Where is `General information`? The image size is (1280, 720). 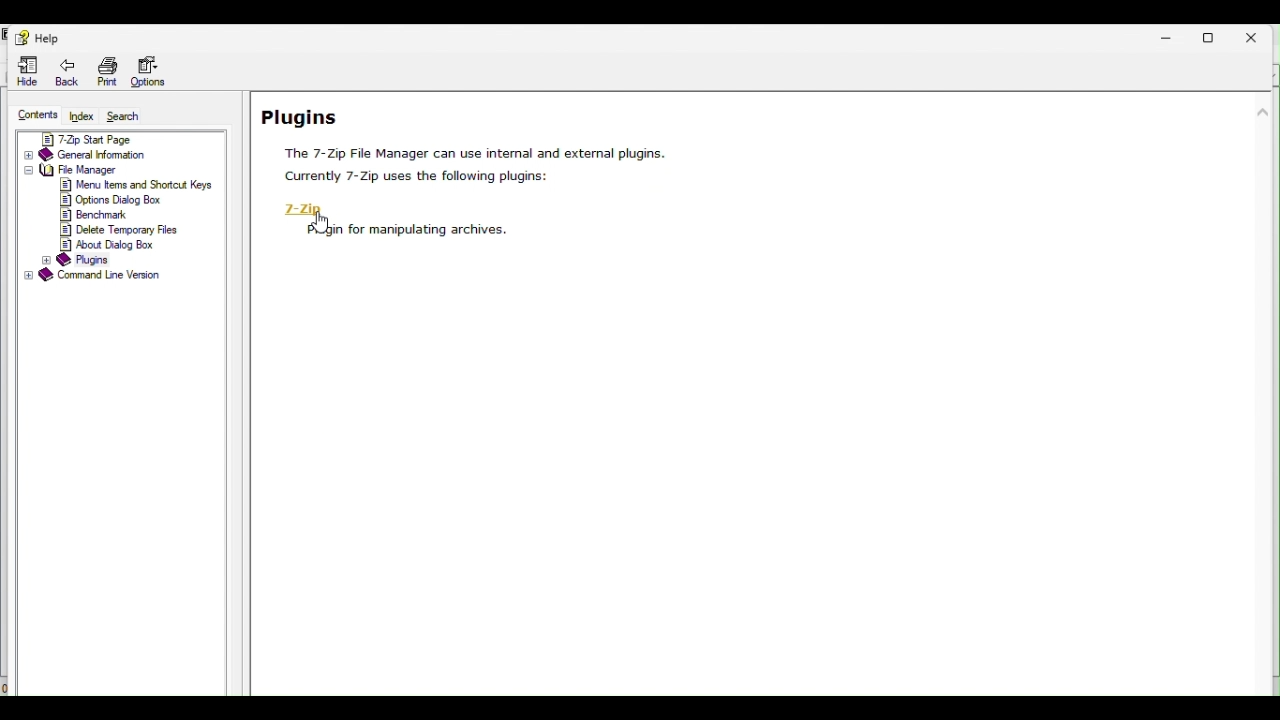
General information is located at coordinates (119, 155).